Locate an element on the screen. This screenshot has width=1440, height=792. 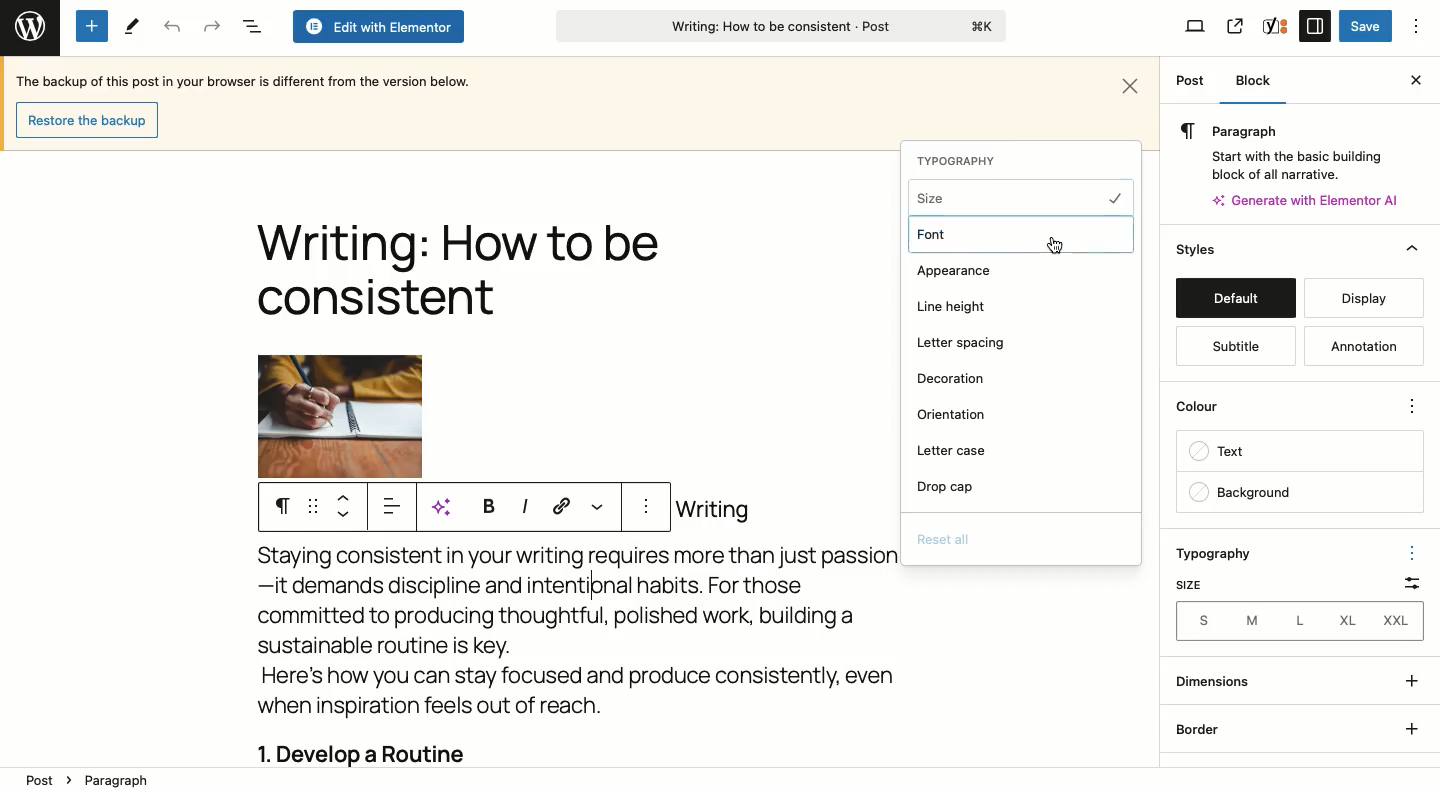
TYPOGRAPHY is located at coordinates (961, 161).